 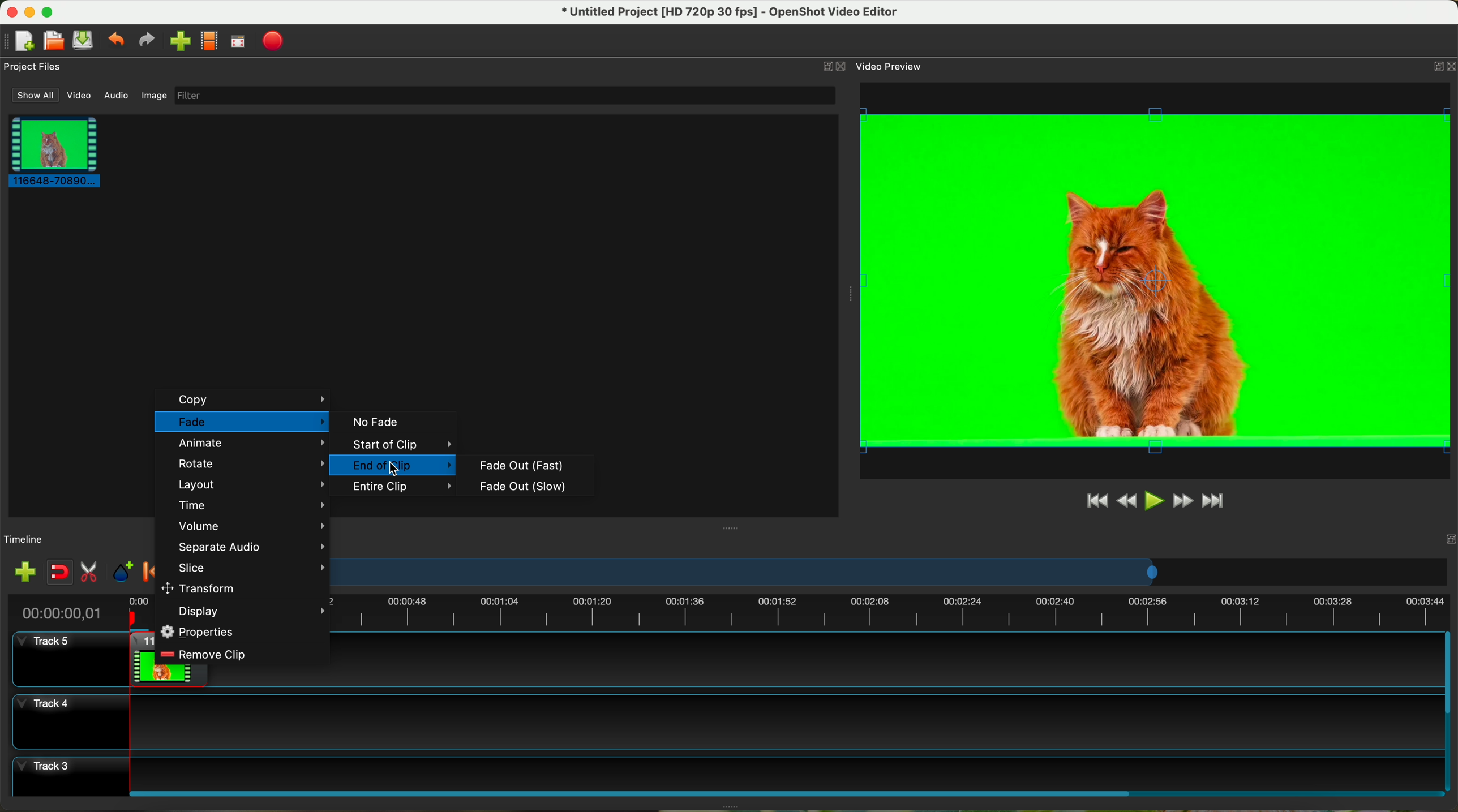 What do you see at coordinates (1215, 502) in the screenshot?
I see `jump to end` at bounding box center [1215, 502].